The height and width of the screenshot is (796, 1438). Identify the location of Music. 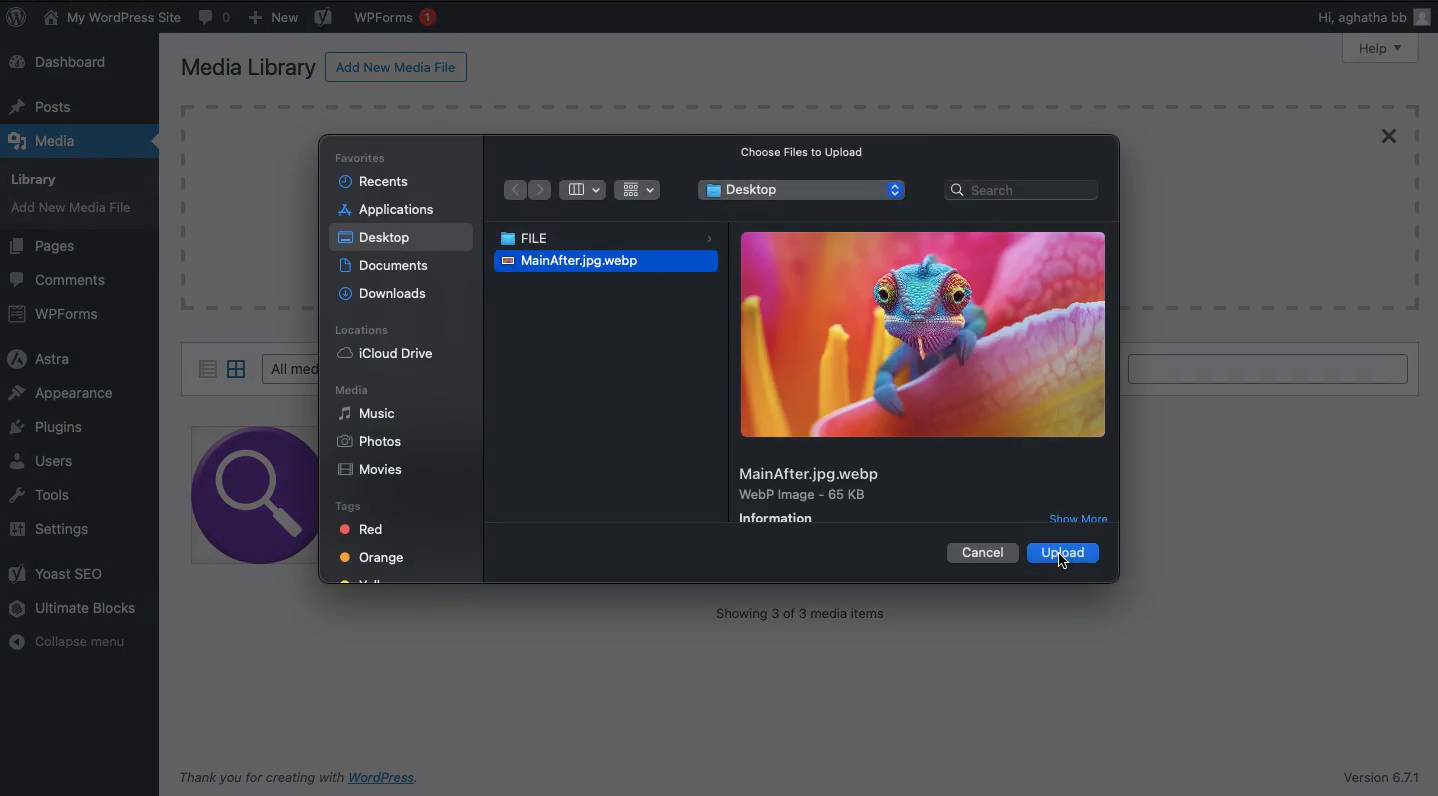
(373, 413).